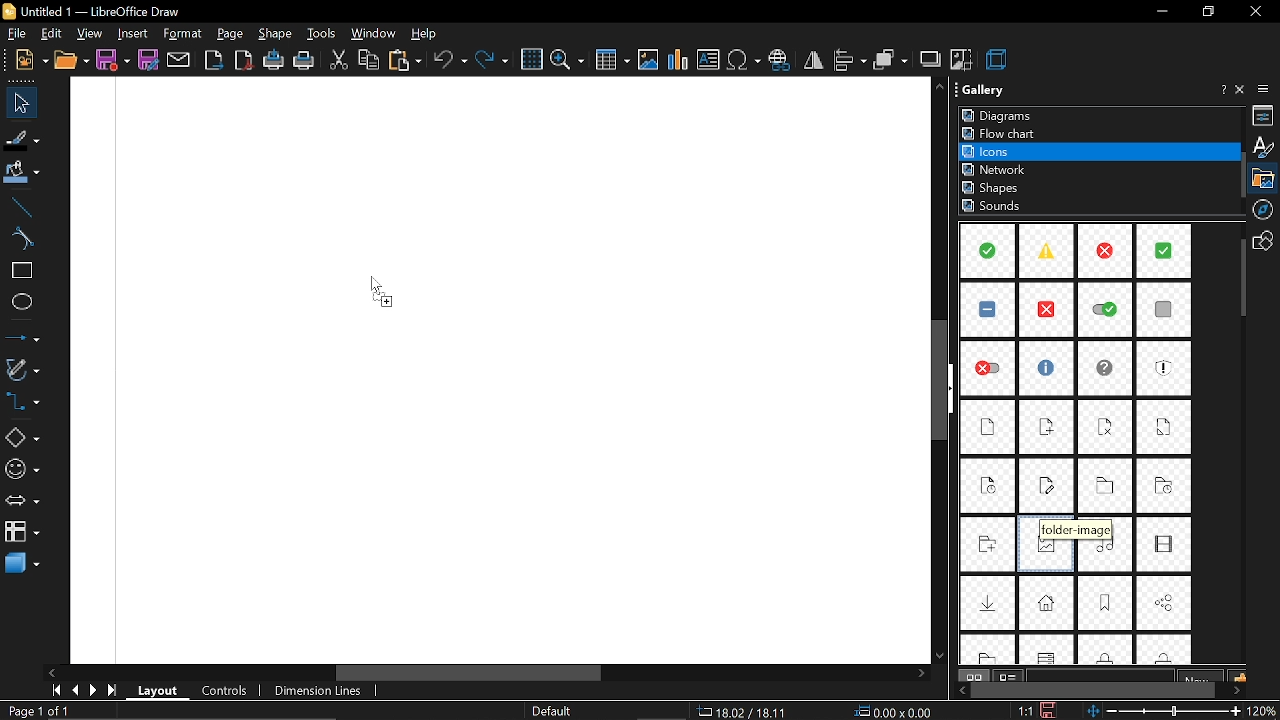 This screenshot has width=1280, height=720. Describe the element at coordinates (41, 711) in the screenshot. I see `Page 1 of 1` at that location.